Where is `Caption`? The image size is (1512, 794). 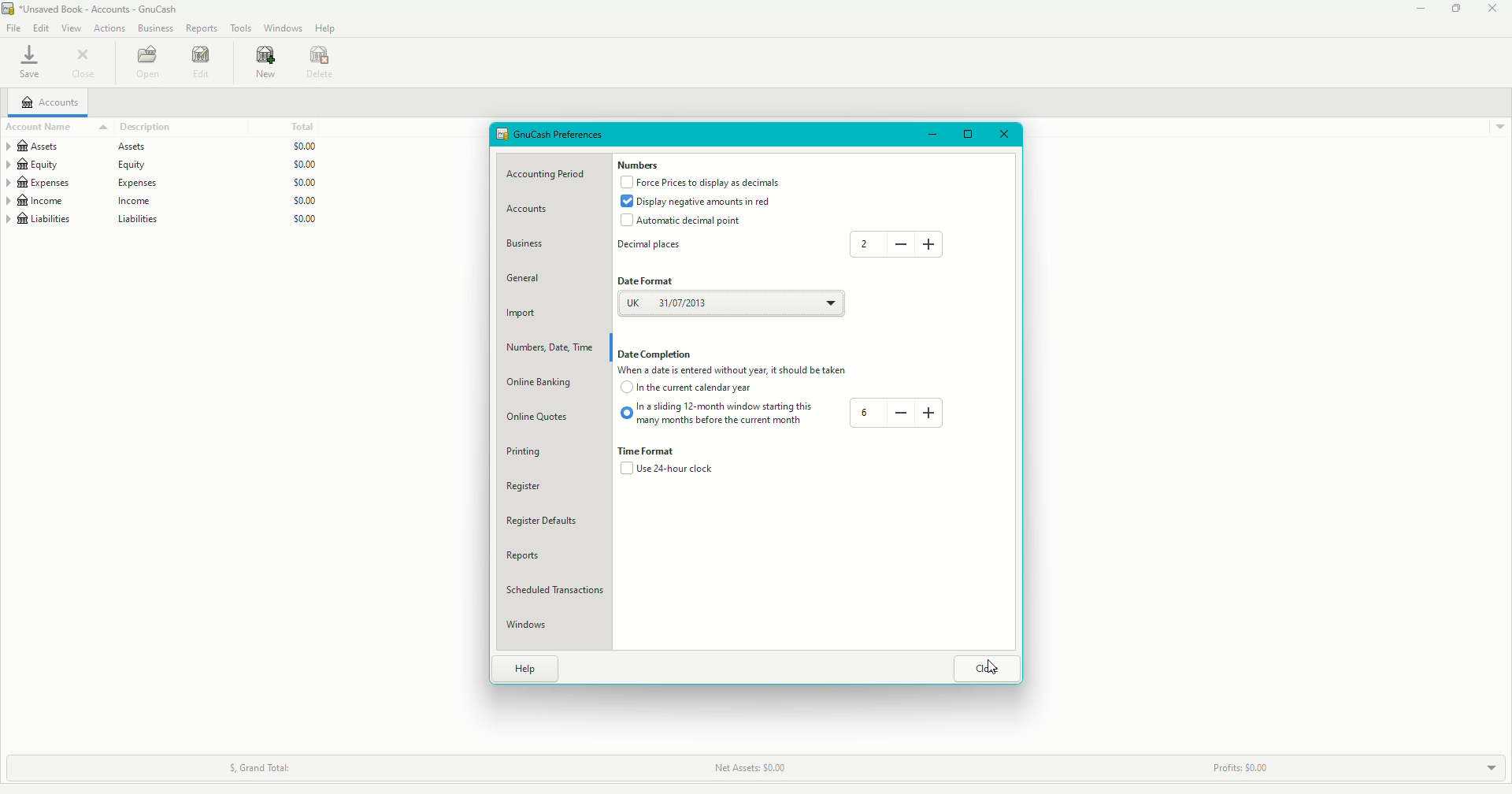
Caption is located at coordinates (743, 371).